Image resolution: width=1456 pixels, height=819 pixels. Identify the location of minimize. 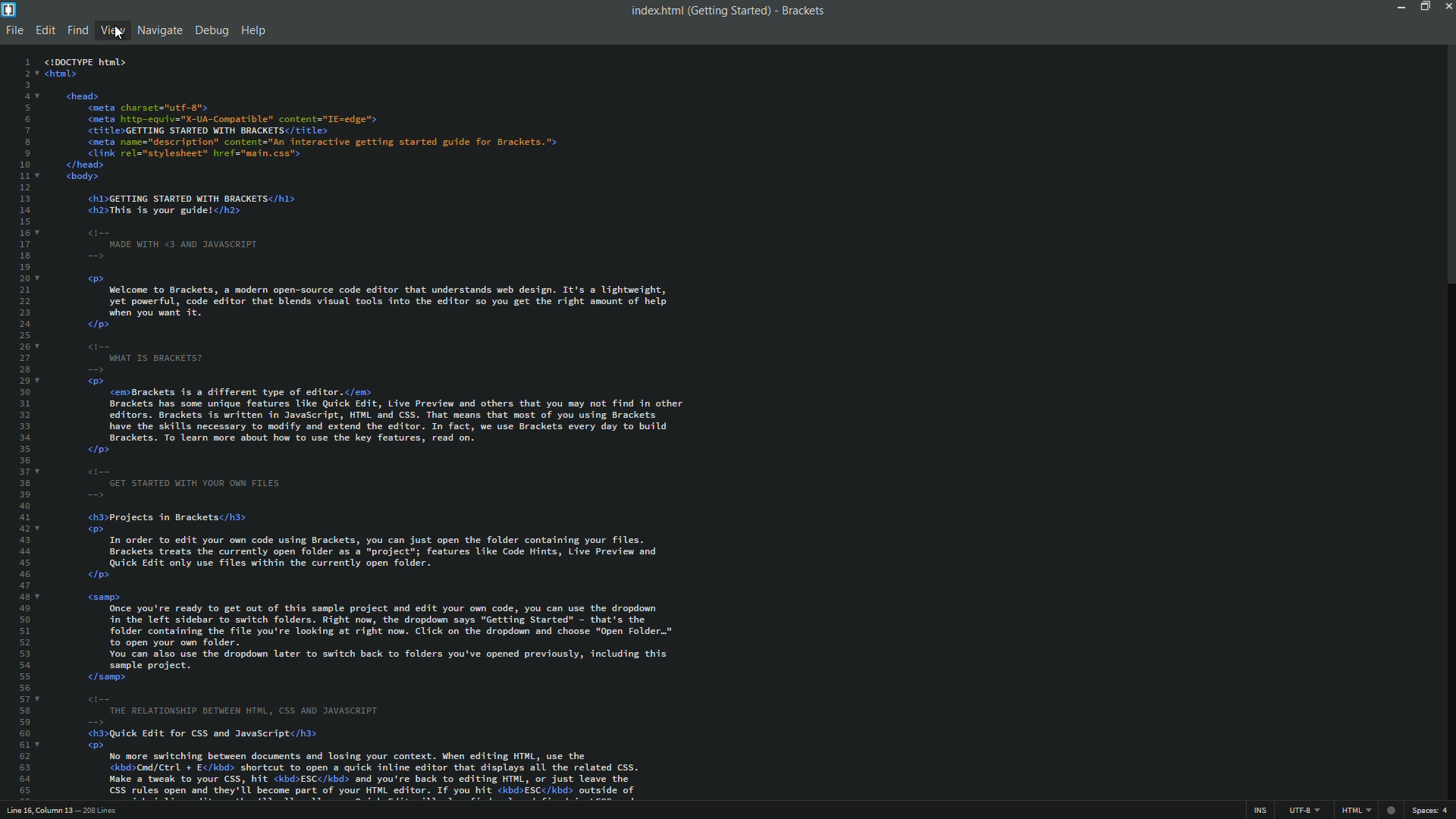
(1398, 6).